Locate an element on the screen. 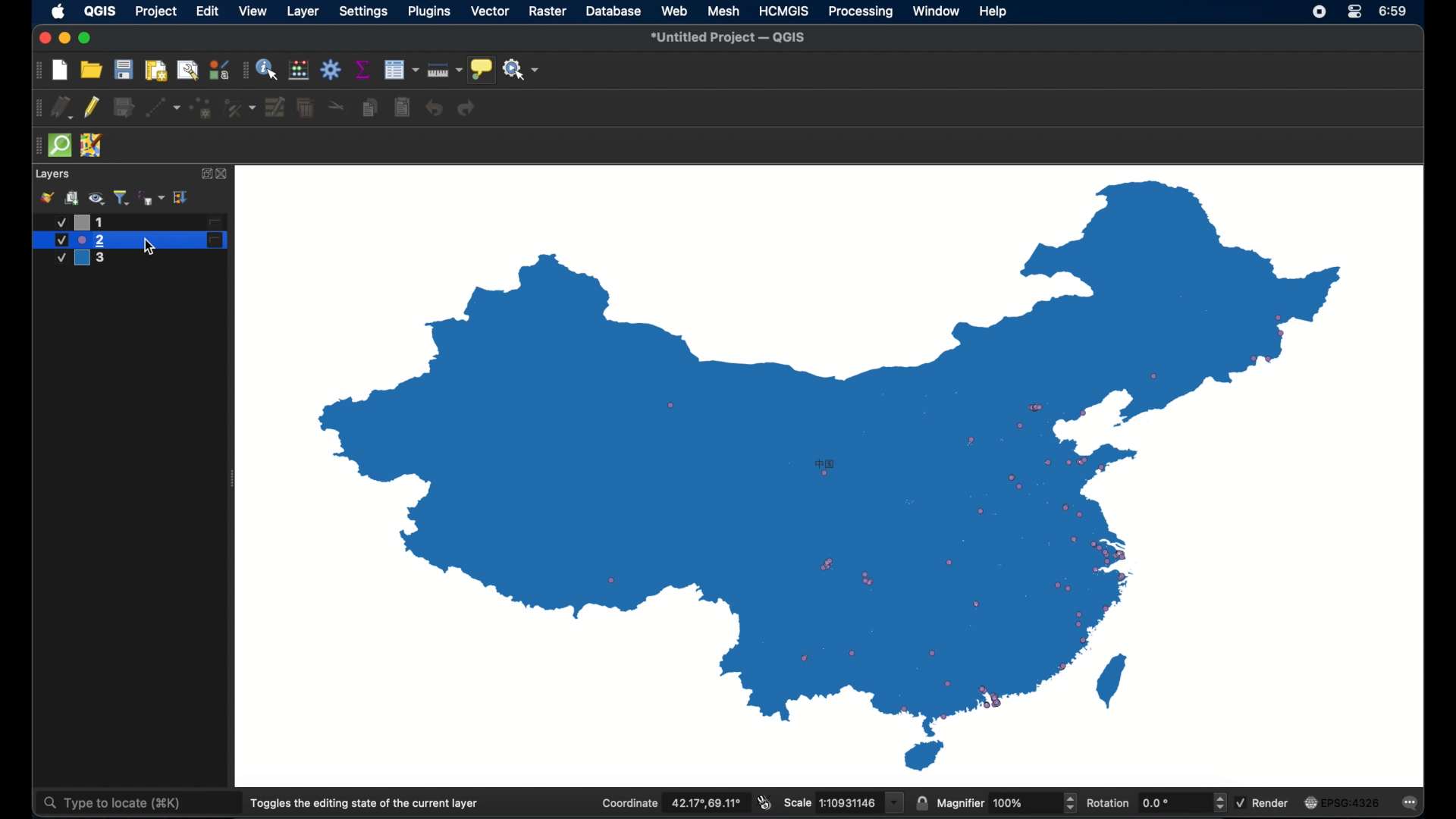 The height and width of the screenshot is (819, 1456). show statistical summary  is located at coordinates (363, 70).